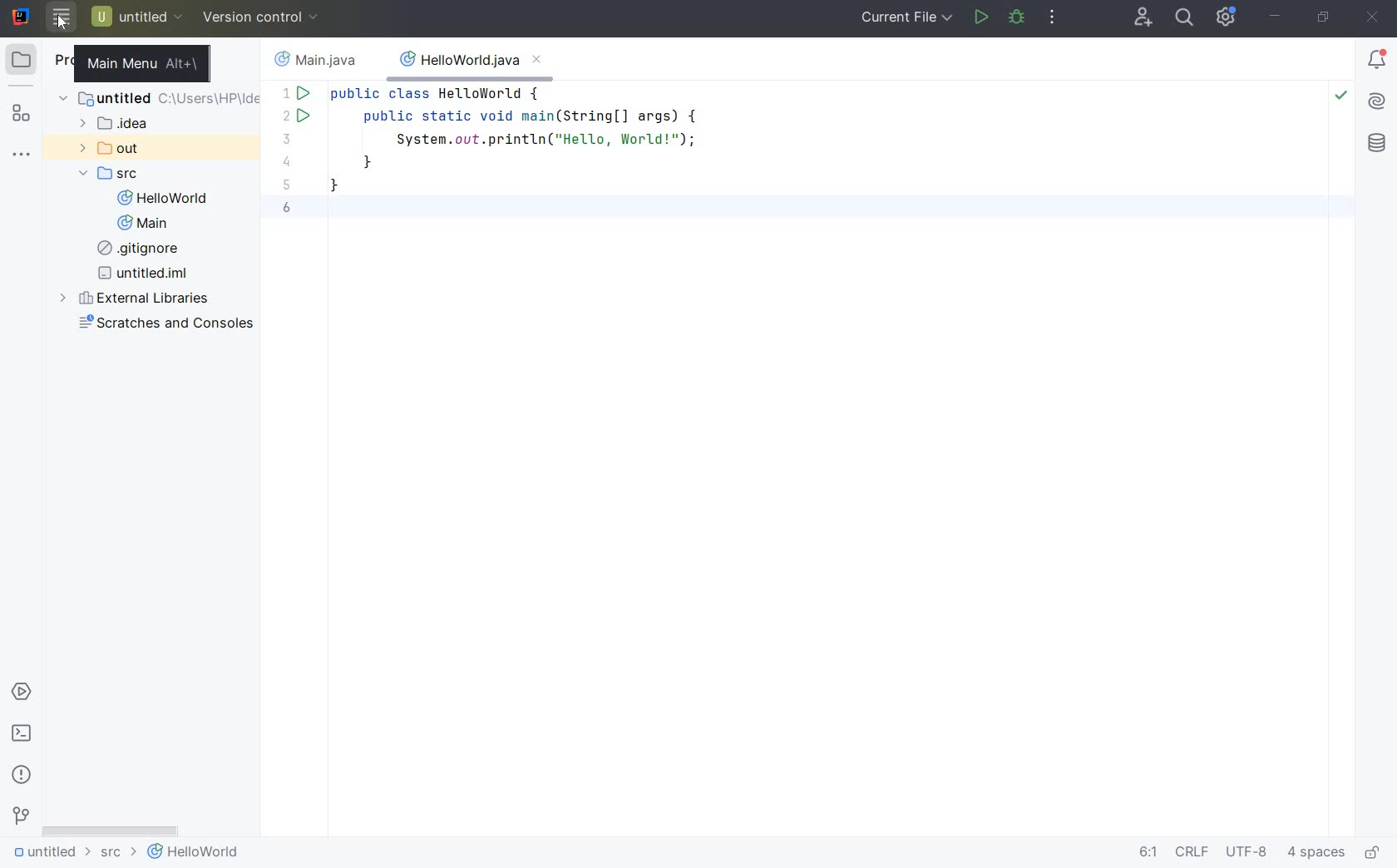  Describe the element at coordinates (1141, 17) in the screenshot. I see `code with me` at that location.